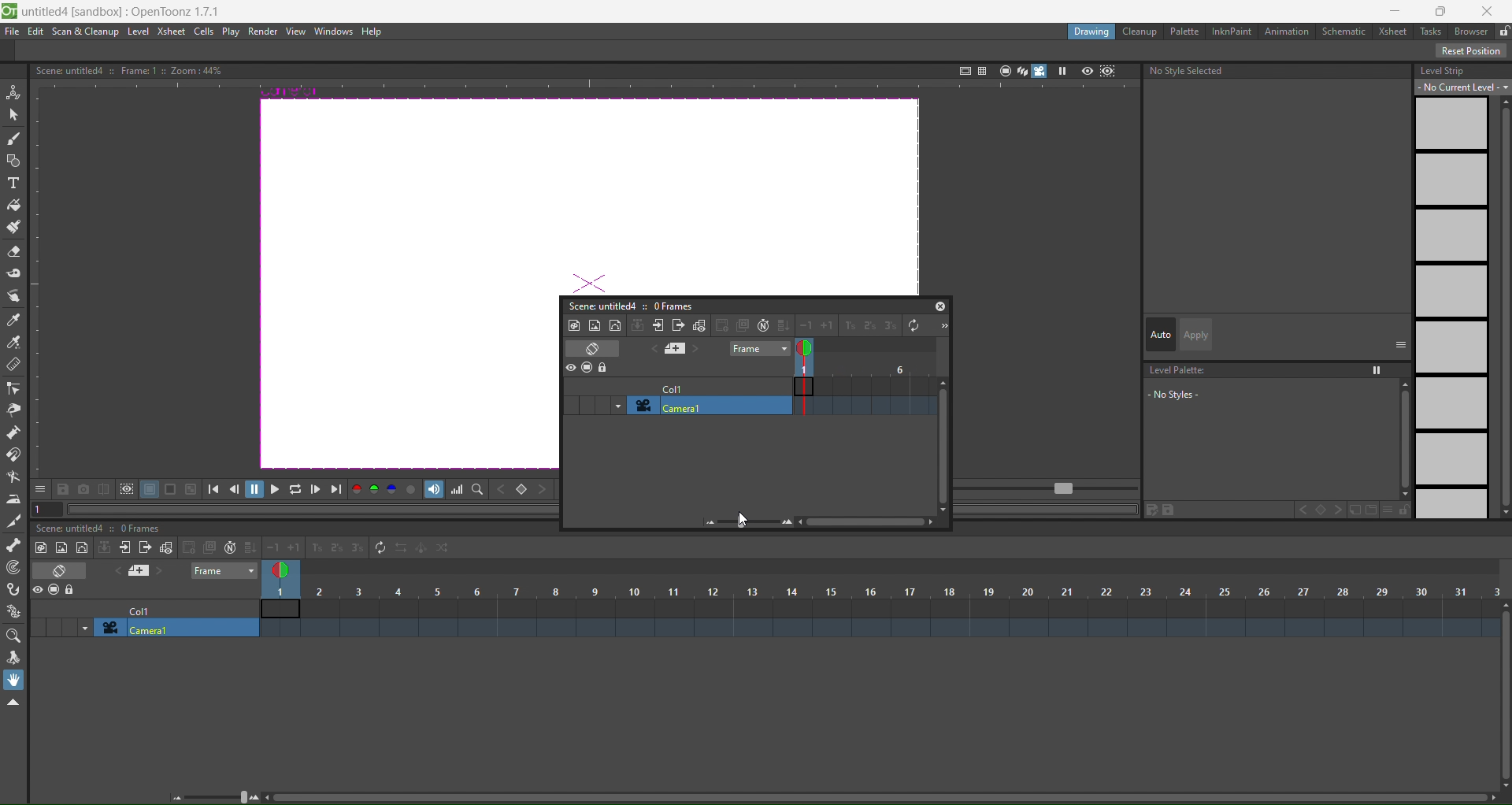  What do you see at coordinates (14, 477) in the screenshot?
I see `bender tool` at bounding box center [14, 477].